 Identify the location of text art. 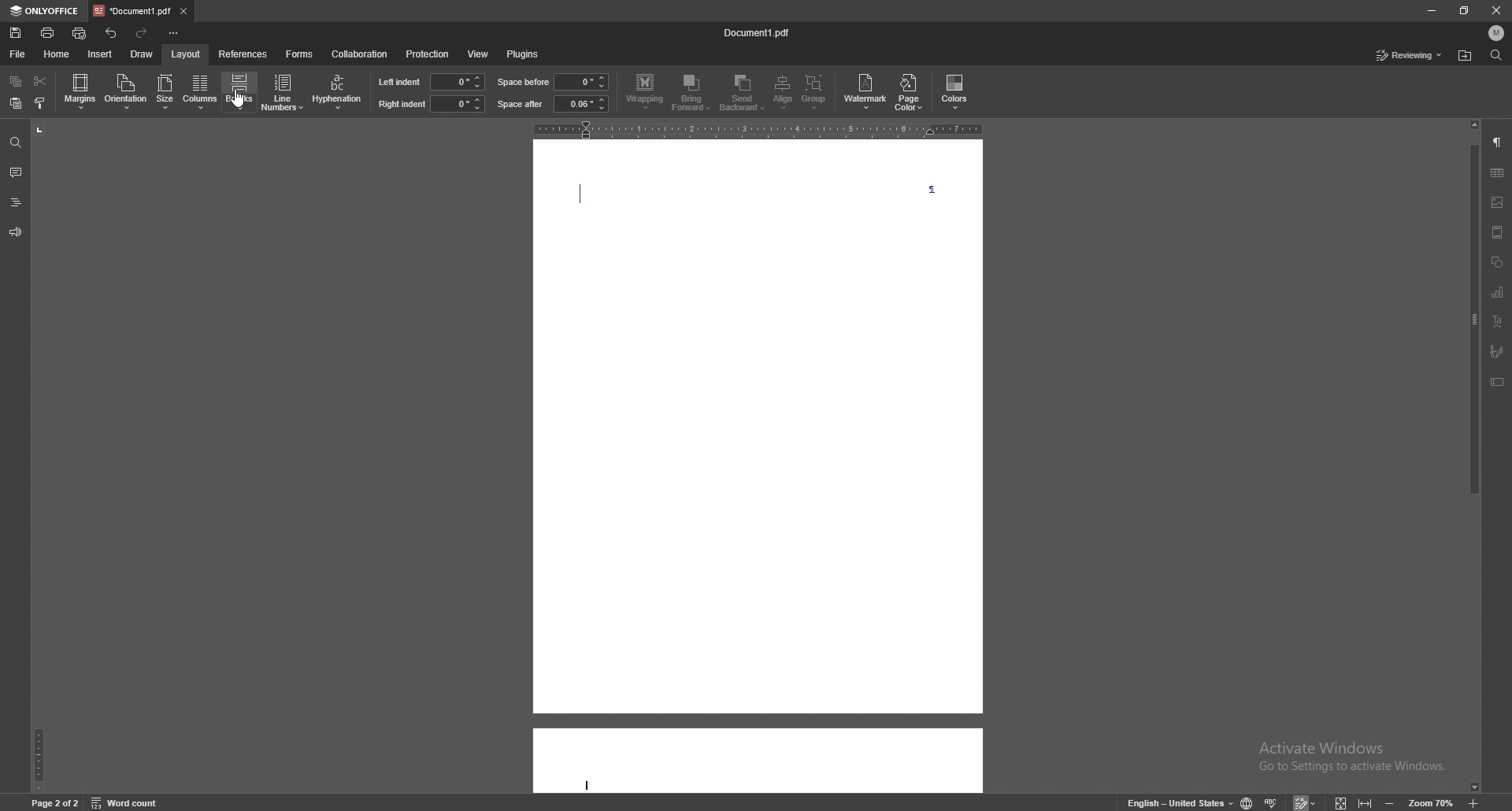
(1495, 322).